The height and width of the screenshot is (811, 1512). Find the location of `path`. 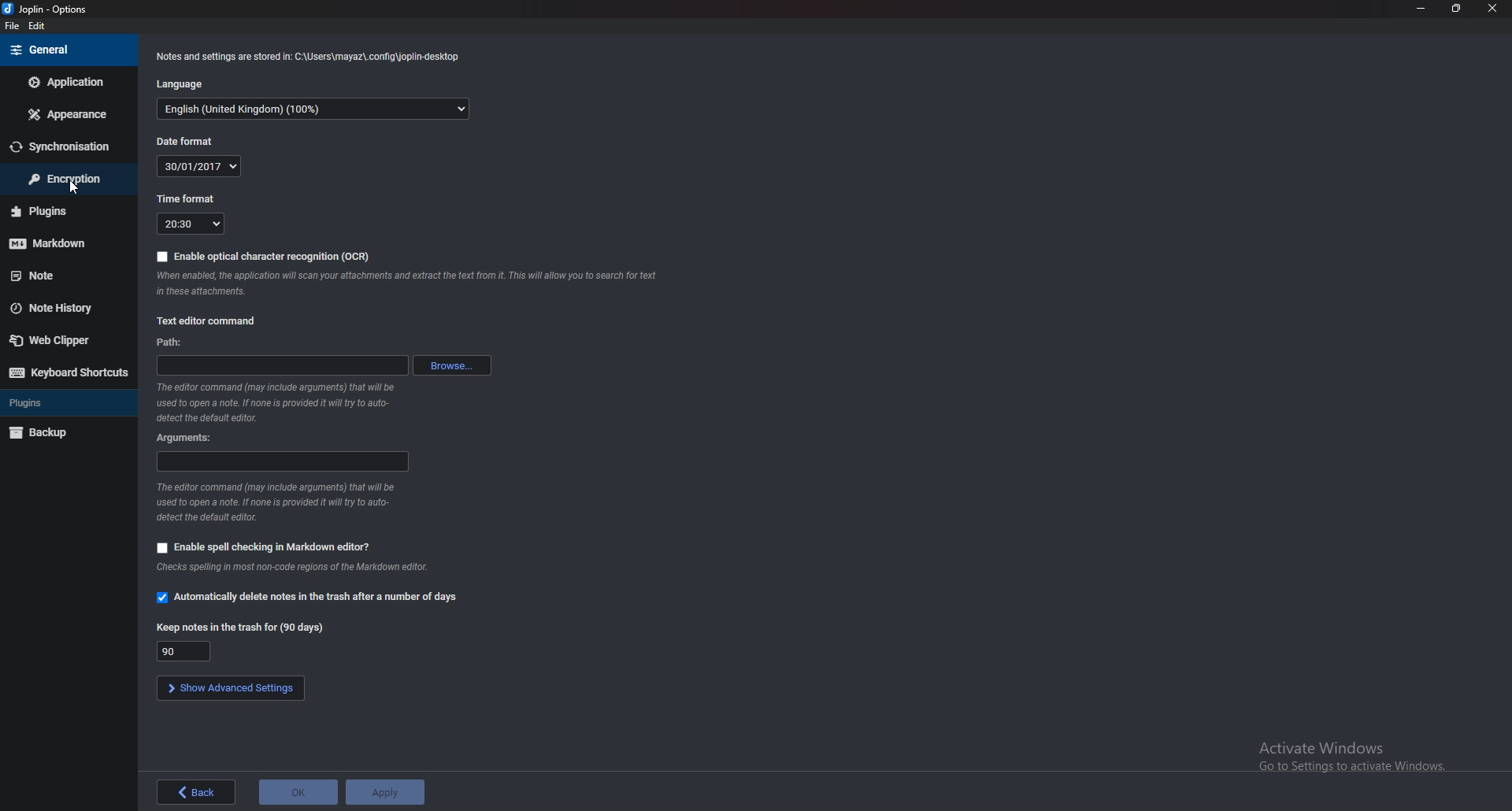

path is located at coordinates (283, 364).